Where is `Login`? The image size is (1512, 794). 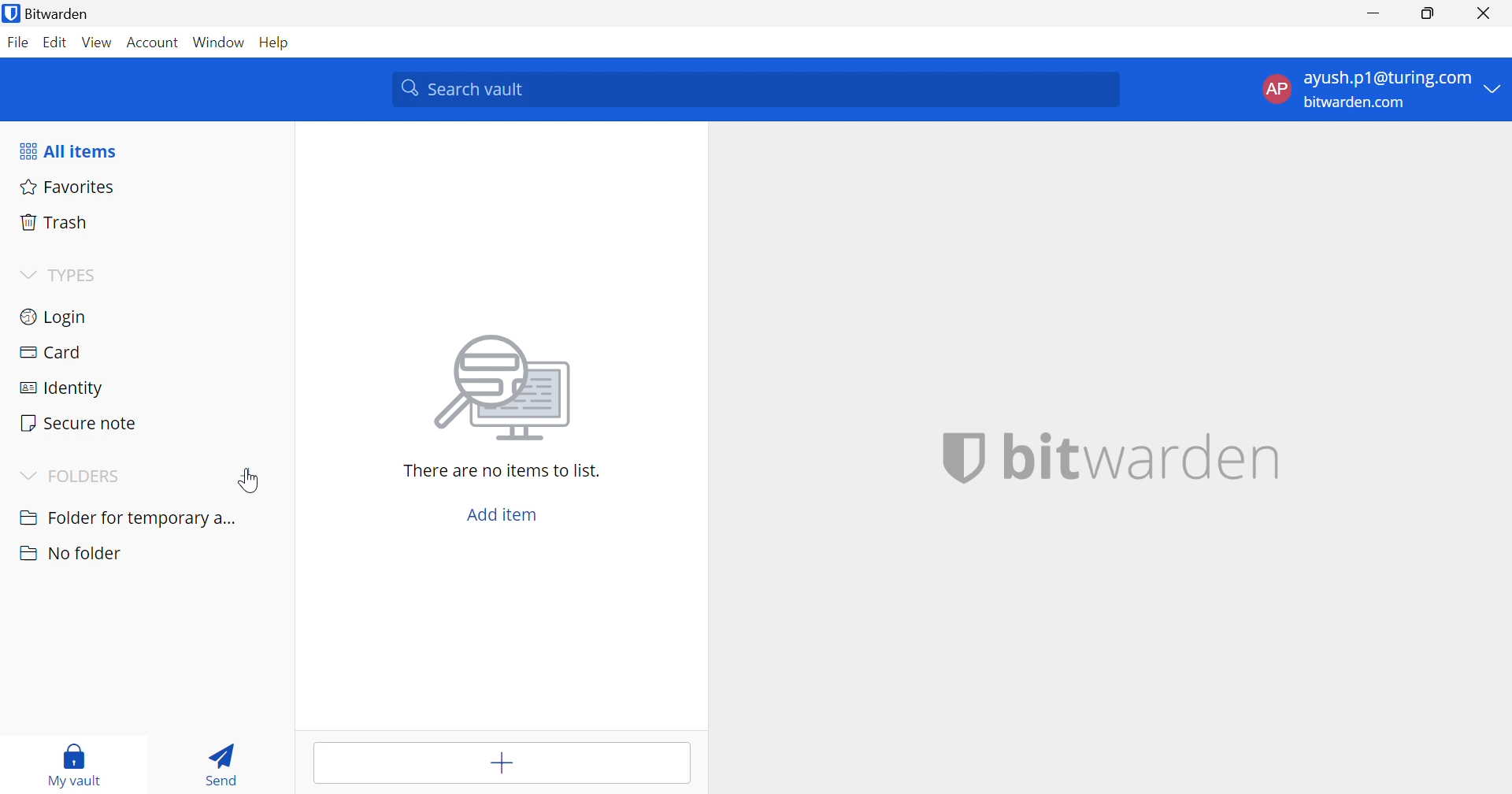
Login is located at coordinates (54, 319).